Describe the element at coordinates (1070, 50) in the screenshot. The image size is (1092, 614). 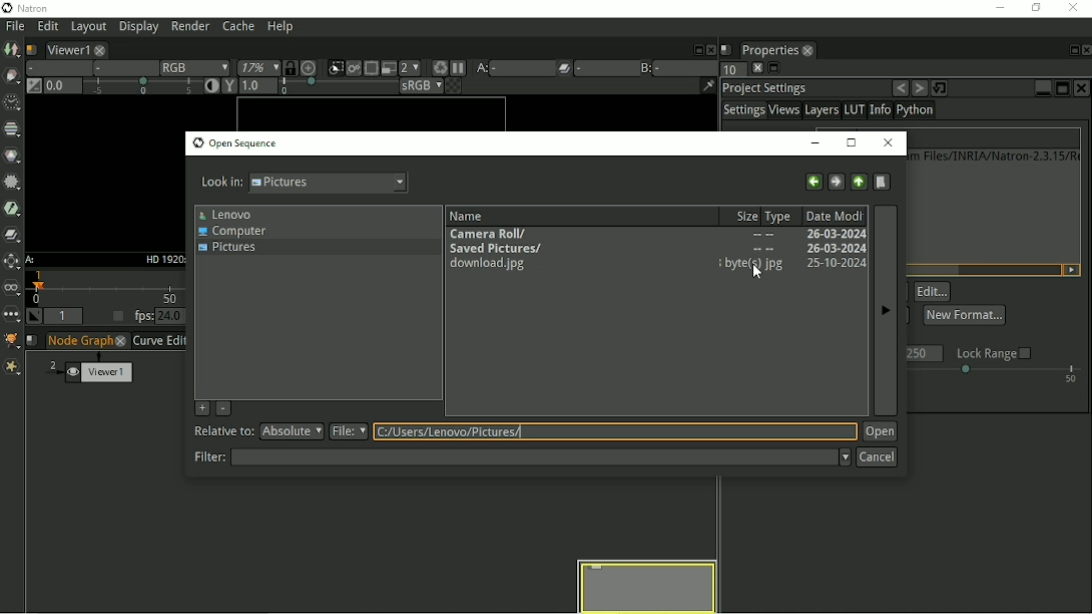
I see `Float pane` at that location.